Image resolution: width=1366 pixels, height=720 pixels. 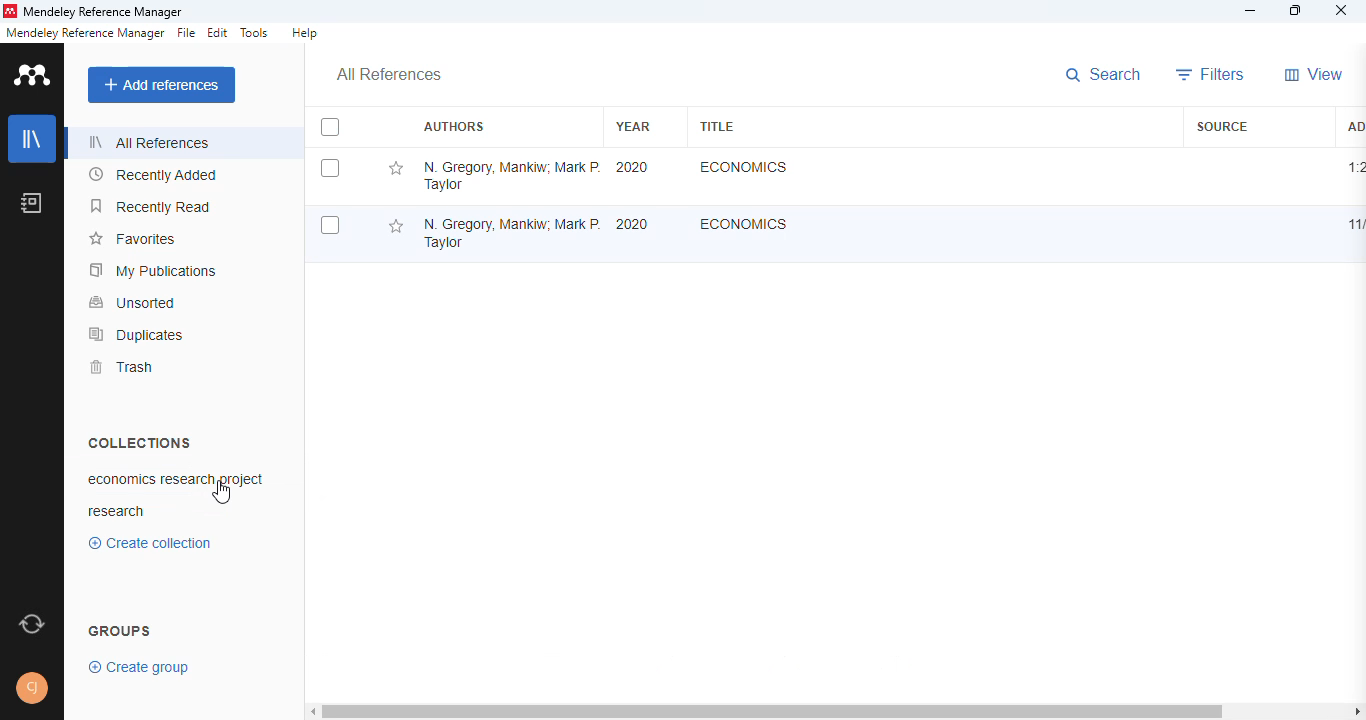 I want to click on added, so click(x=1353, y=125).